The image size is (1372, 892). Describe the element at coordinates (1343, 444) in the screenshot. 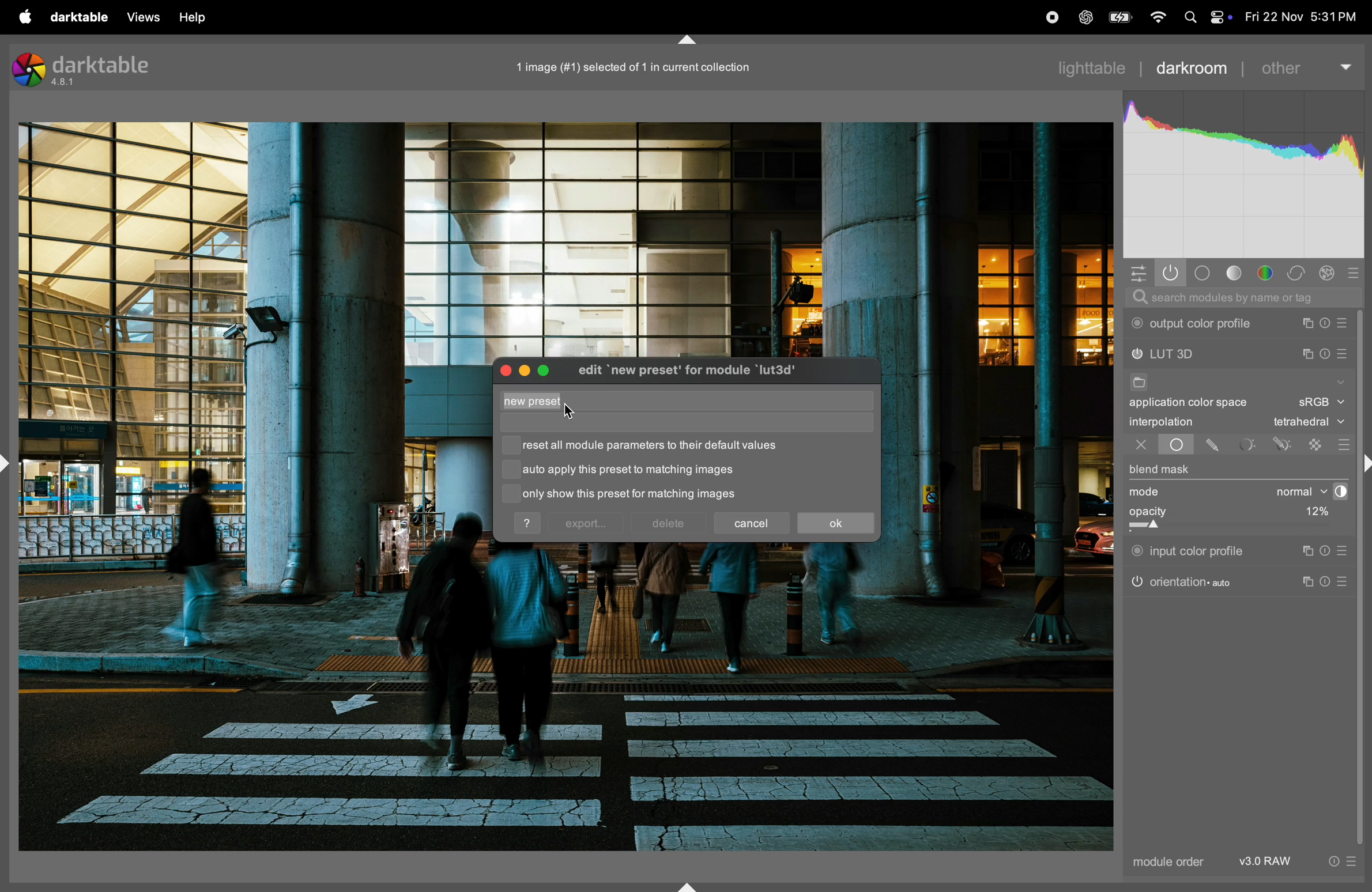

I see `presets` at that location.